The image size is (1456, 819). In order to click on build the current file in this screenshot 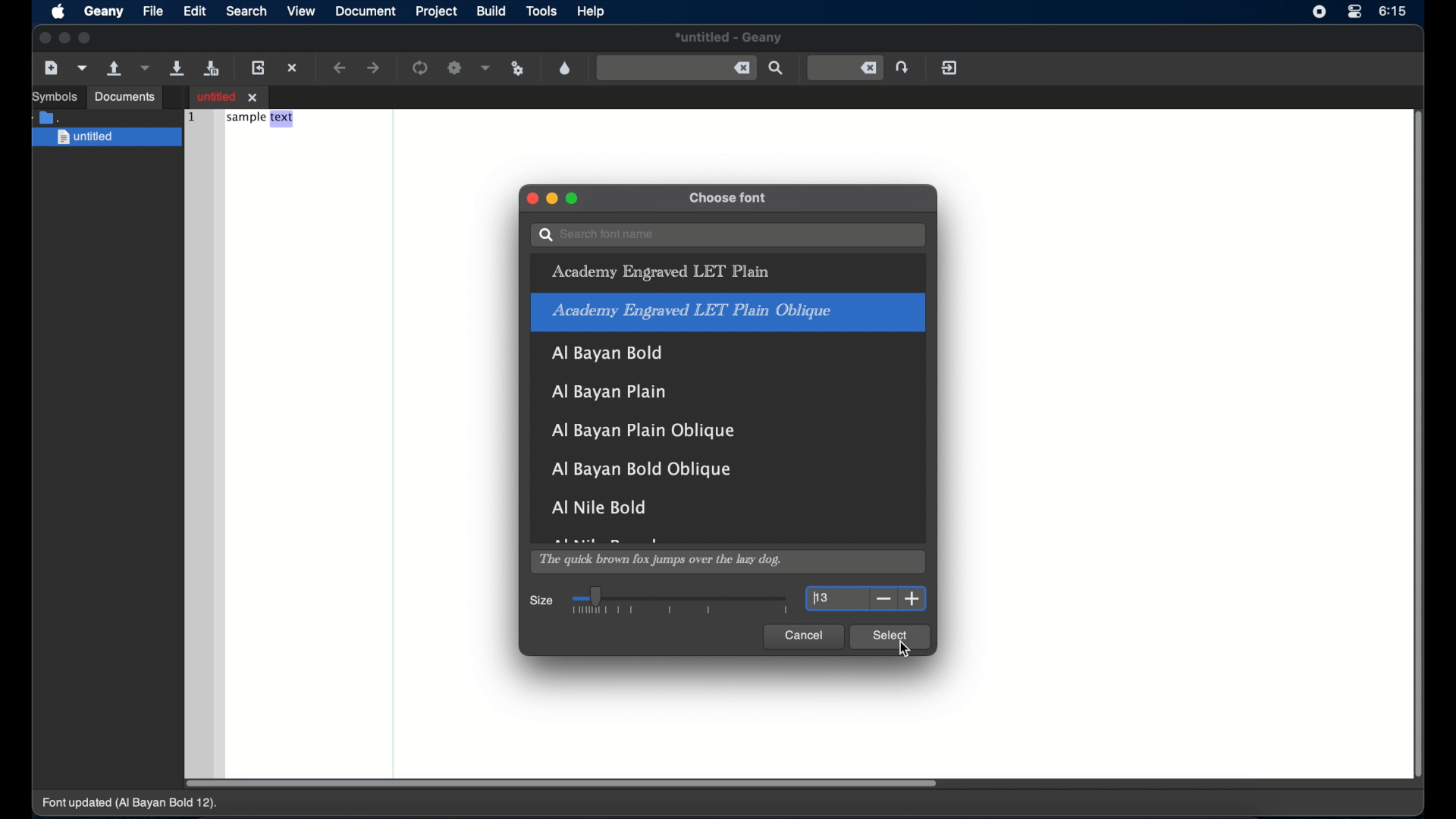, I will do `click(456, 68)`.